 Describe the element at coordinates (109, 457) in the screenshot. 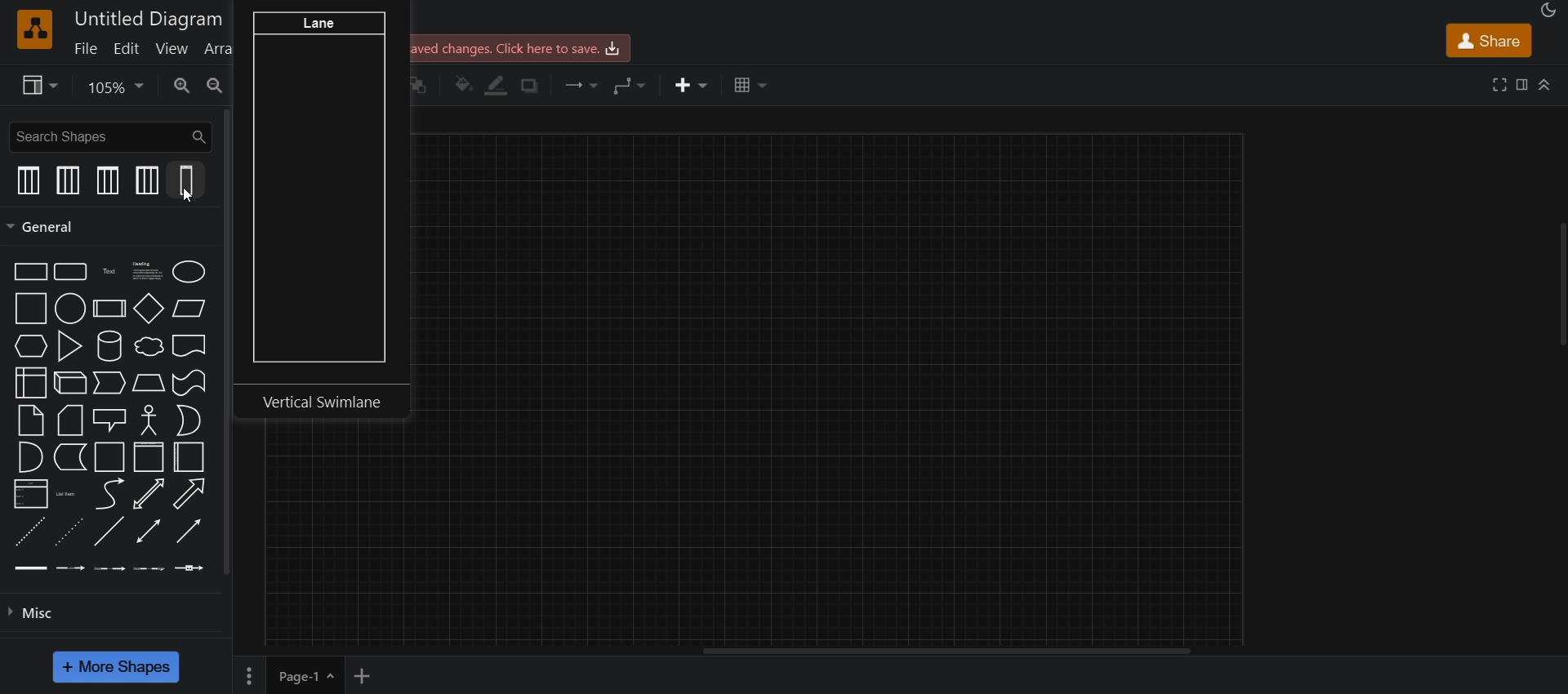

I see `container` at that location.